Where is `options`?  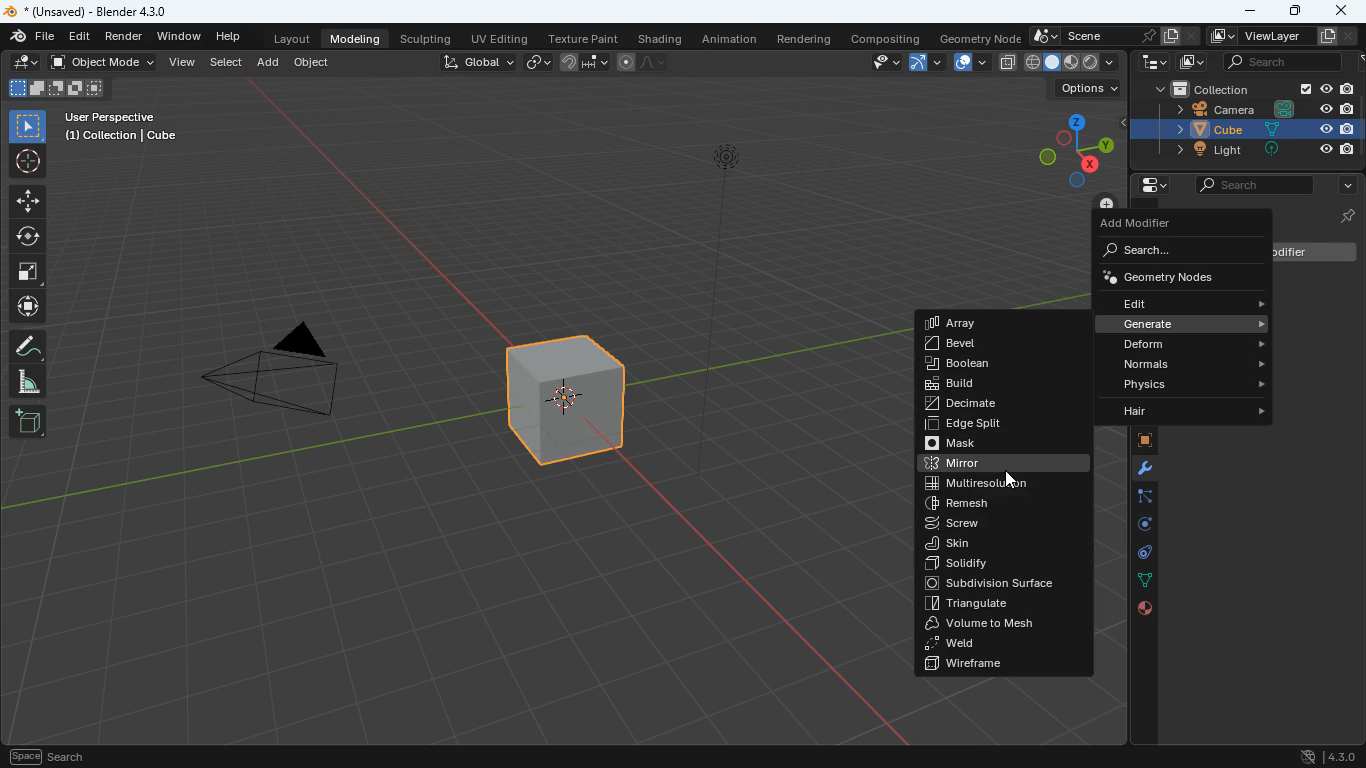 options is located at coordinates (1085, 91).